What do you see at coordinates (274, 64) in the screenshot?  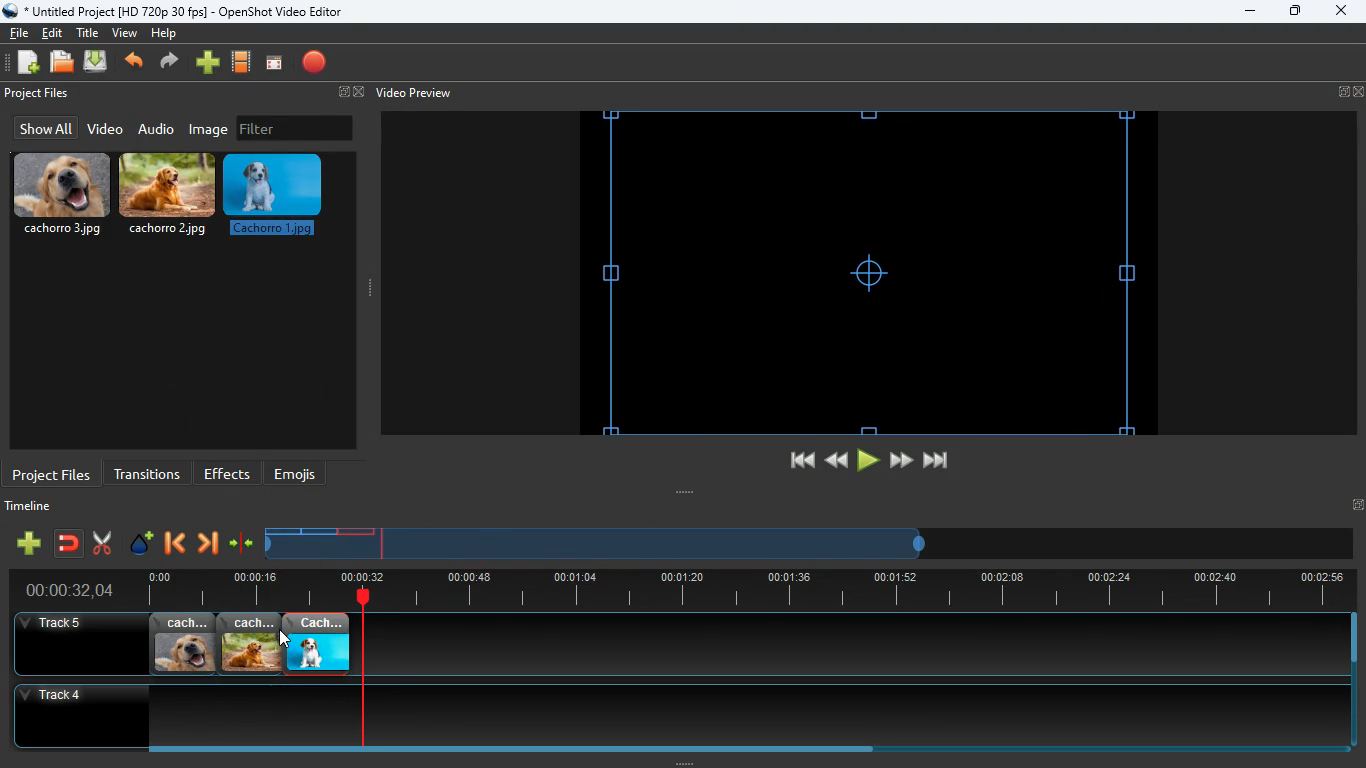 I see `screen` at bounding box center [274, 64].